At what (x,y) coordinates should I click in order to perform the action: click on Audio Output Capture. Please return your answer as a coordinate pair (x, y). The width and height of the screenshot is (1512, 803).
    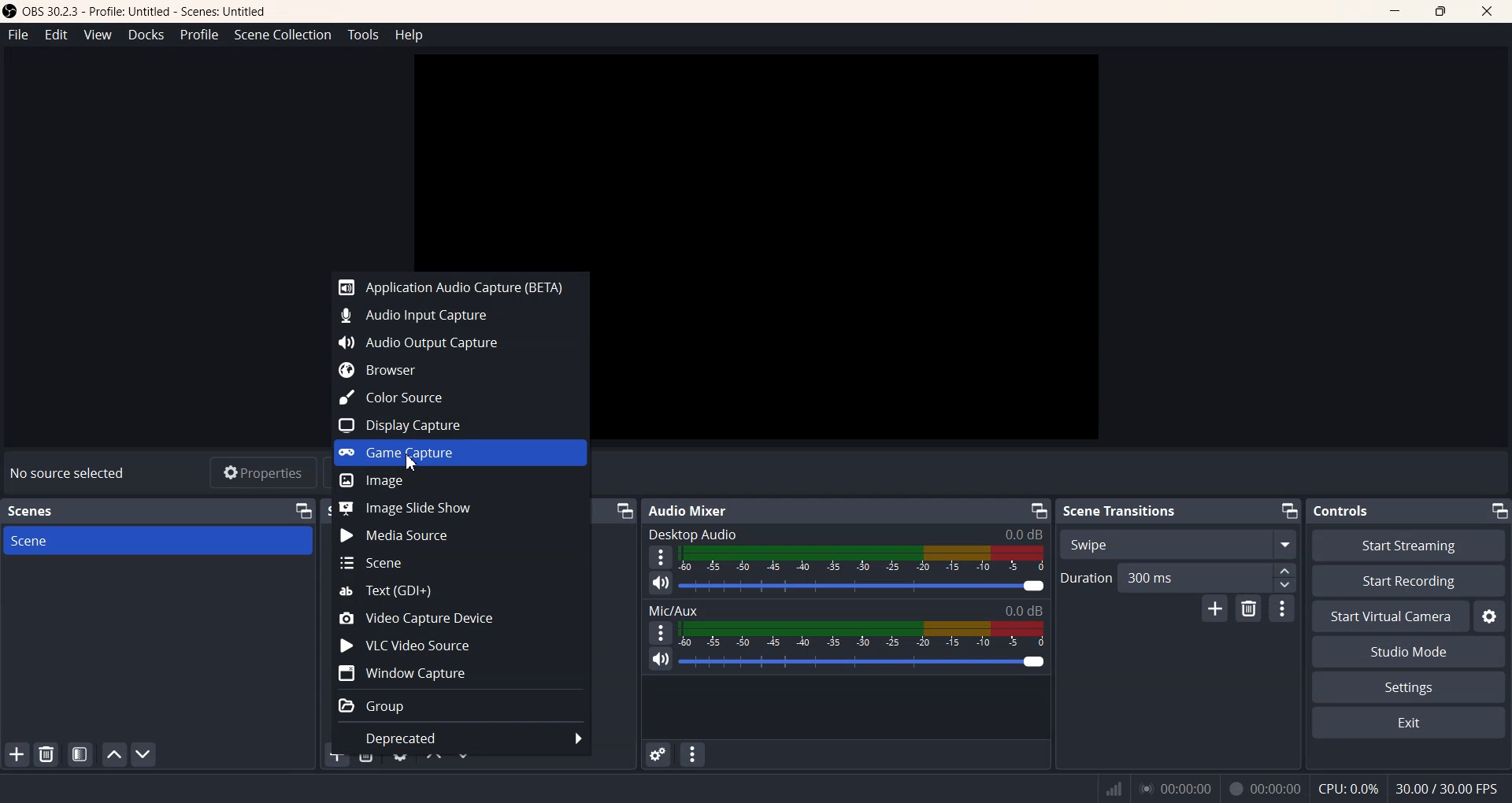
    Looking at the image, I should click on (453, 340).